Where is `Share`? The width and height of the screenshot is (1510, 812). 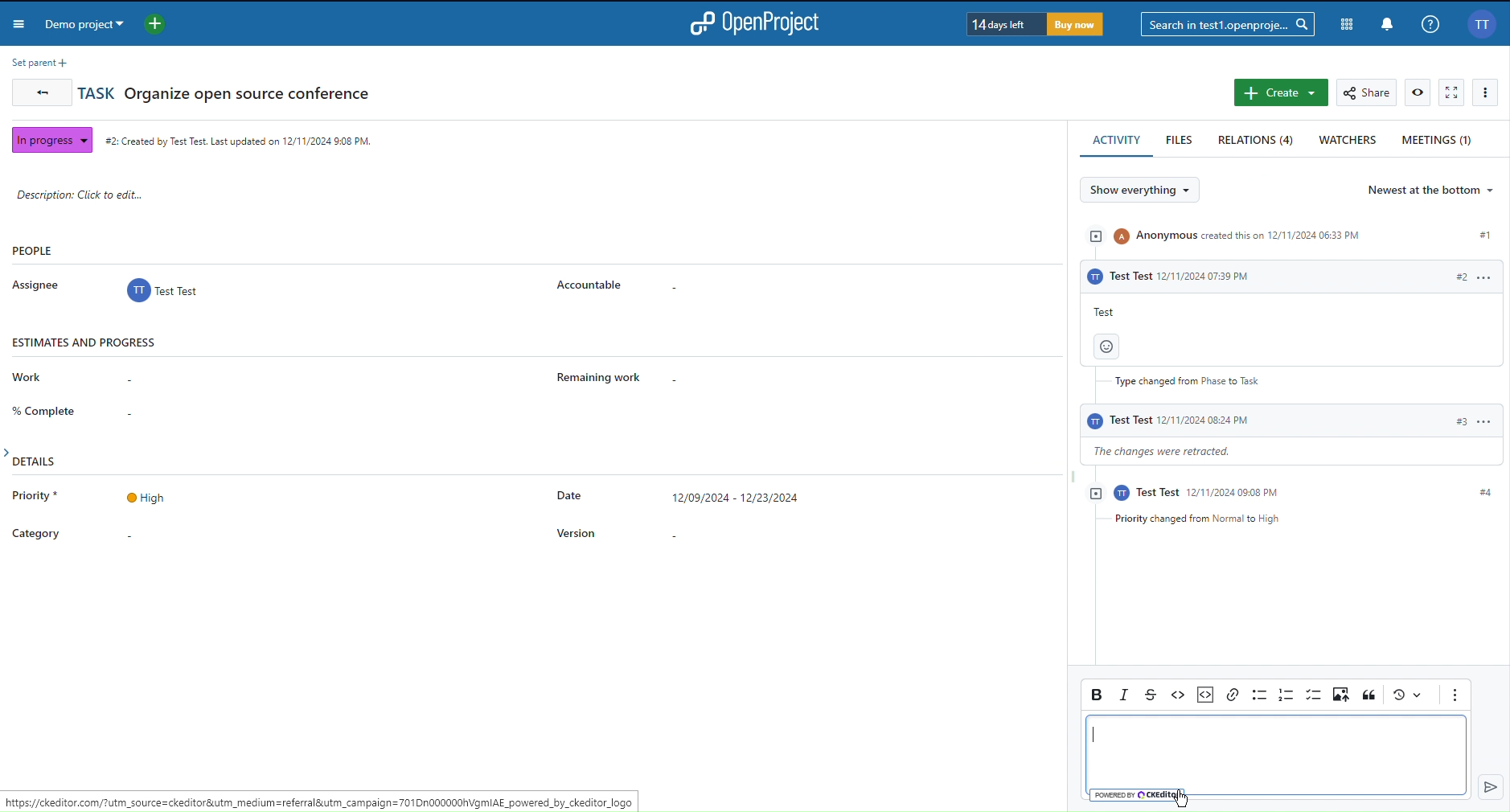
Share is located at coordinates (1368, 92).